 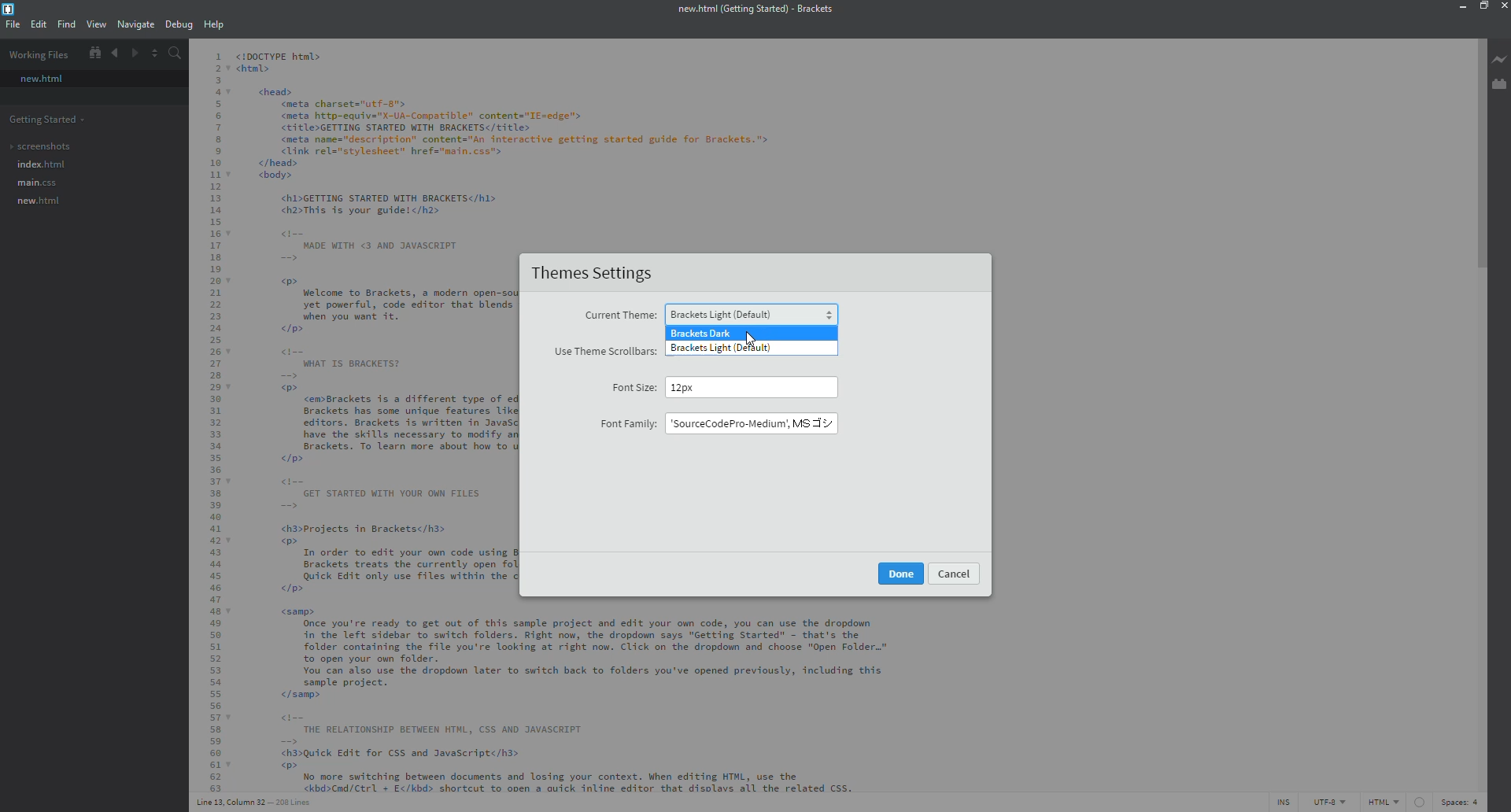 What do you see at coordinates (750, 424) in the screenshot?
I see `family` at bounding box center [750, 424].